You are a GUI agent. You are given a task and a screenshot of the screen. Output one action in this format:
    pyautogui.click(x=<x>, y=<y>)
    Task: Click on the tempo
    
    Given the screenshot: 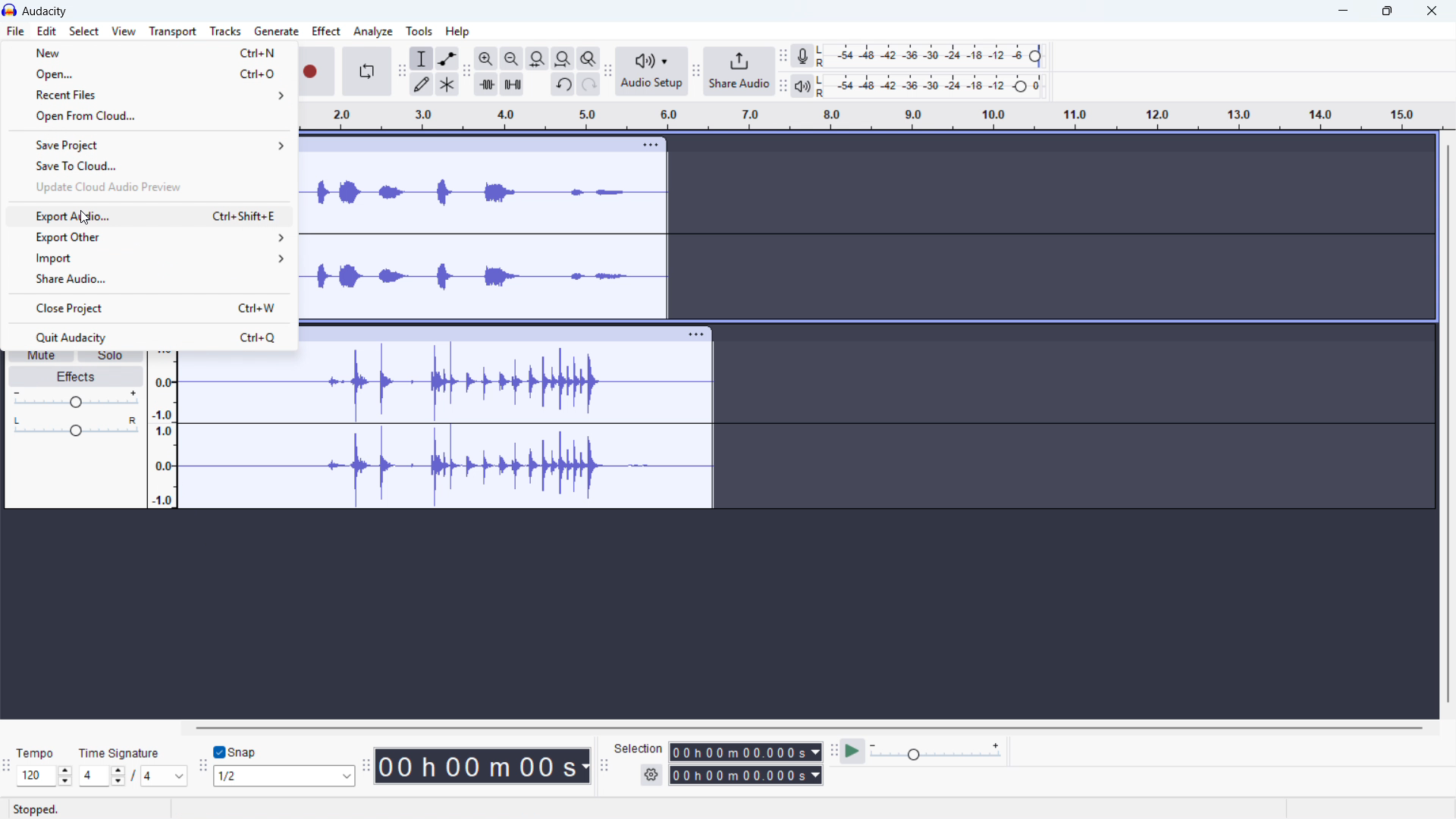 What is the action you would take?
    pyautogui.click(x=39, y=754)
    